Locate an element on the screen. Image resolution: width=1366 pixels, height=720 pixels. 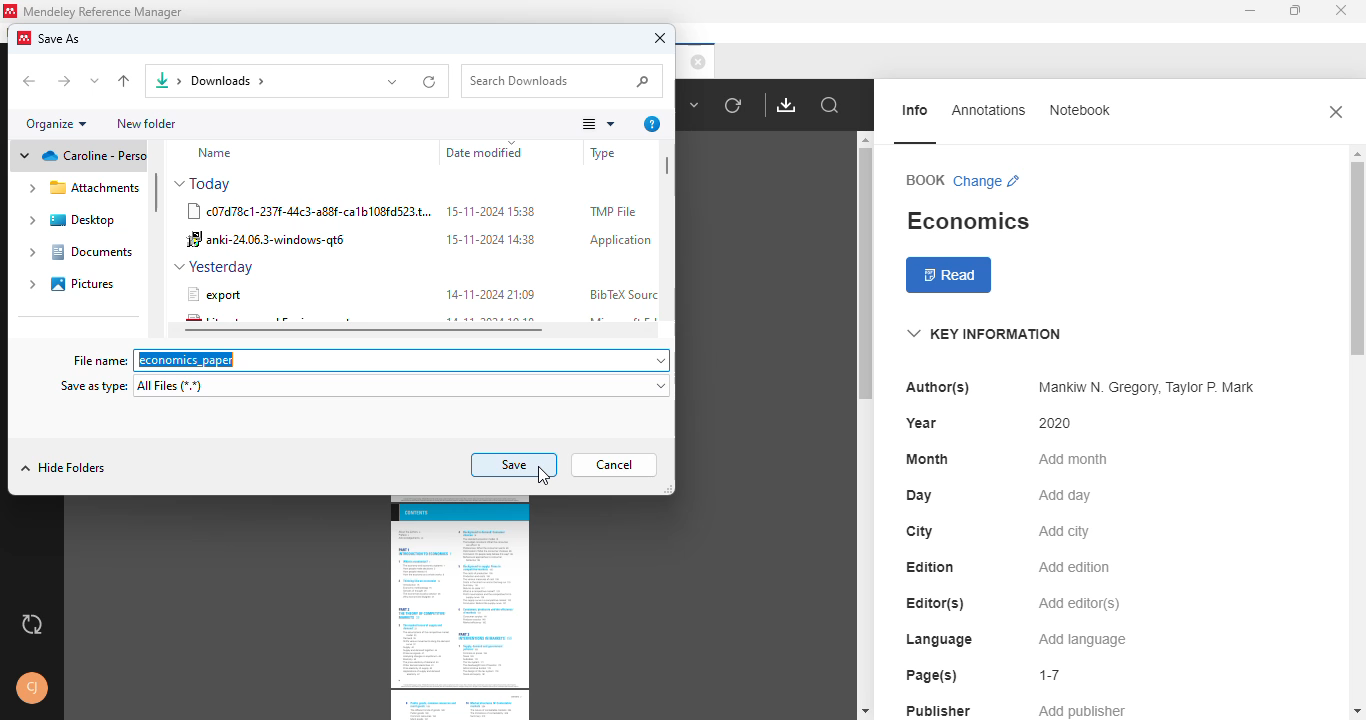
add month is located at coordinates (1071, 459).